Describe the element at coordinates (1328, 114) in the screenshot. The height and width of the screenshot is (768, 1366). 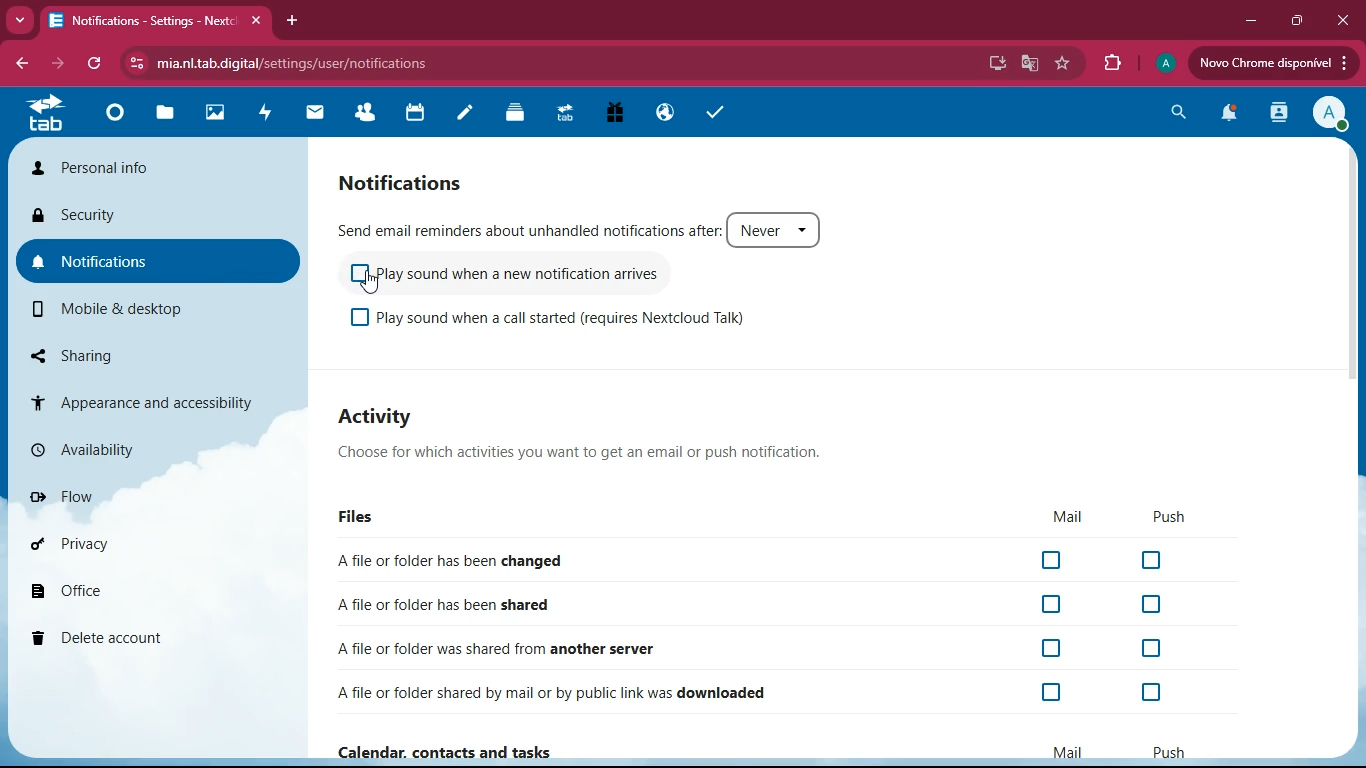
I see `profile` at that location.